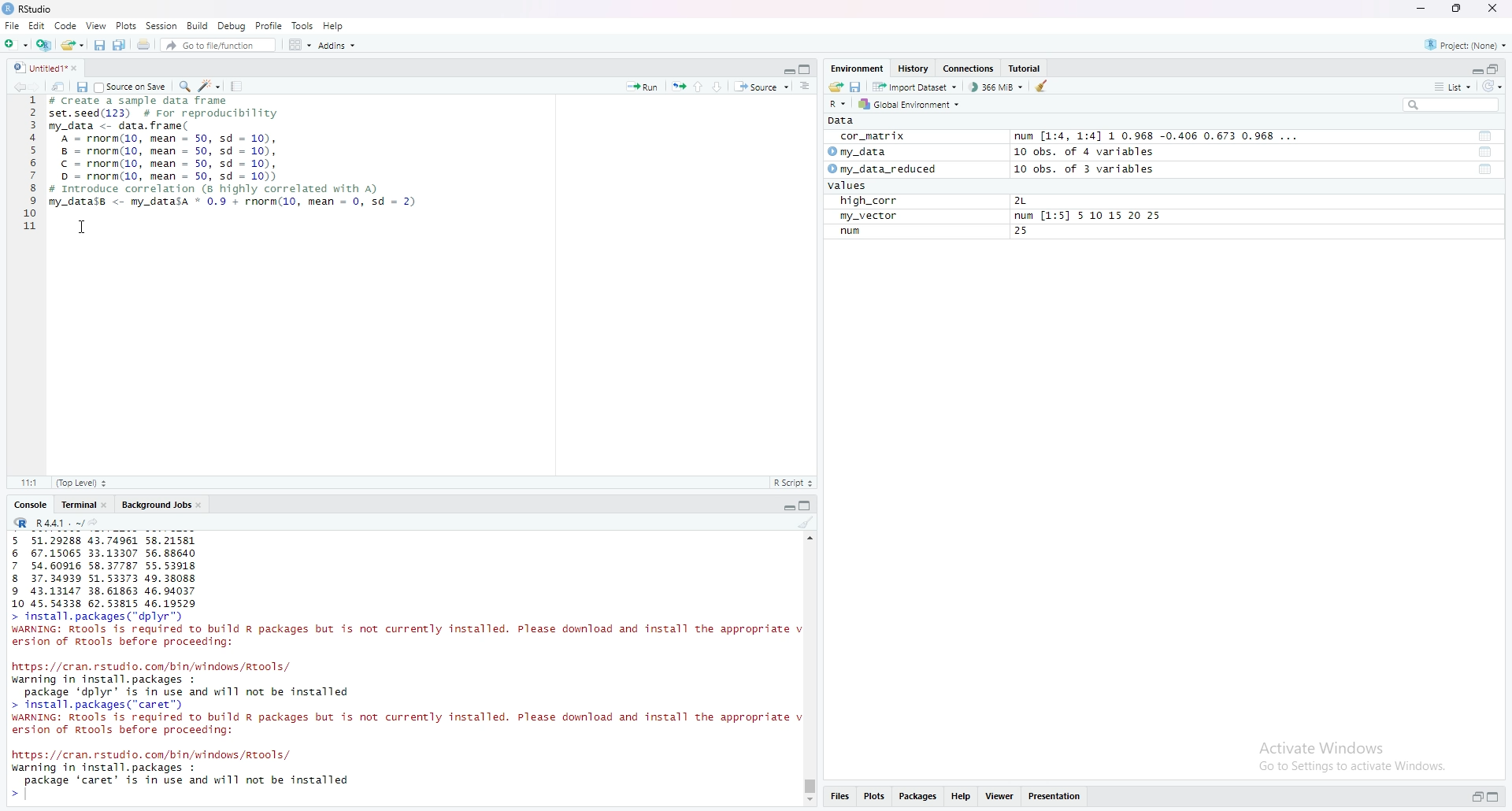 Image resolution: width=1512 pixels, height=811 pixels. What do you see at coordinates (240, 154) in the screenshot?
I see `# Create a sample data frame
set.seed(123) # For reproducibility
my_data <- data. frame(
A = rnorm(10, mean = 50, sd = 10),
8 = rnorm(10, mean = 50, sd = 10),
© = rnorm(10, mean = 50, sd = 10),
D = rnorm(10, mean = 50, sd = 10))
# Introduce correlation (8 highly correlated with A)
my_datass <- my_datasa * 0.9 + rnorm(10, mean = 0, sd = 2)` at bounding box center [240, 154].